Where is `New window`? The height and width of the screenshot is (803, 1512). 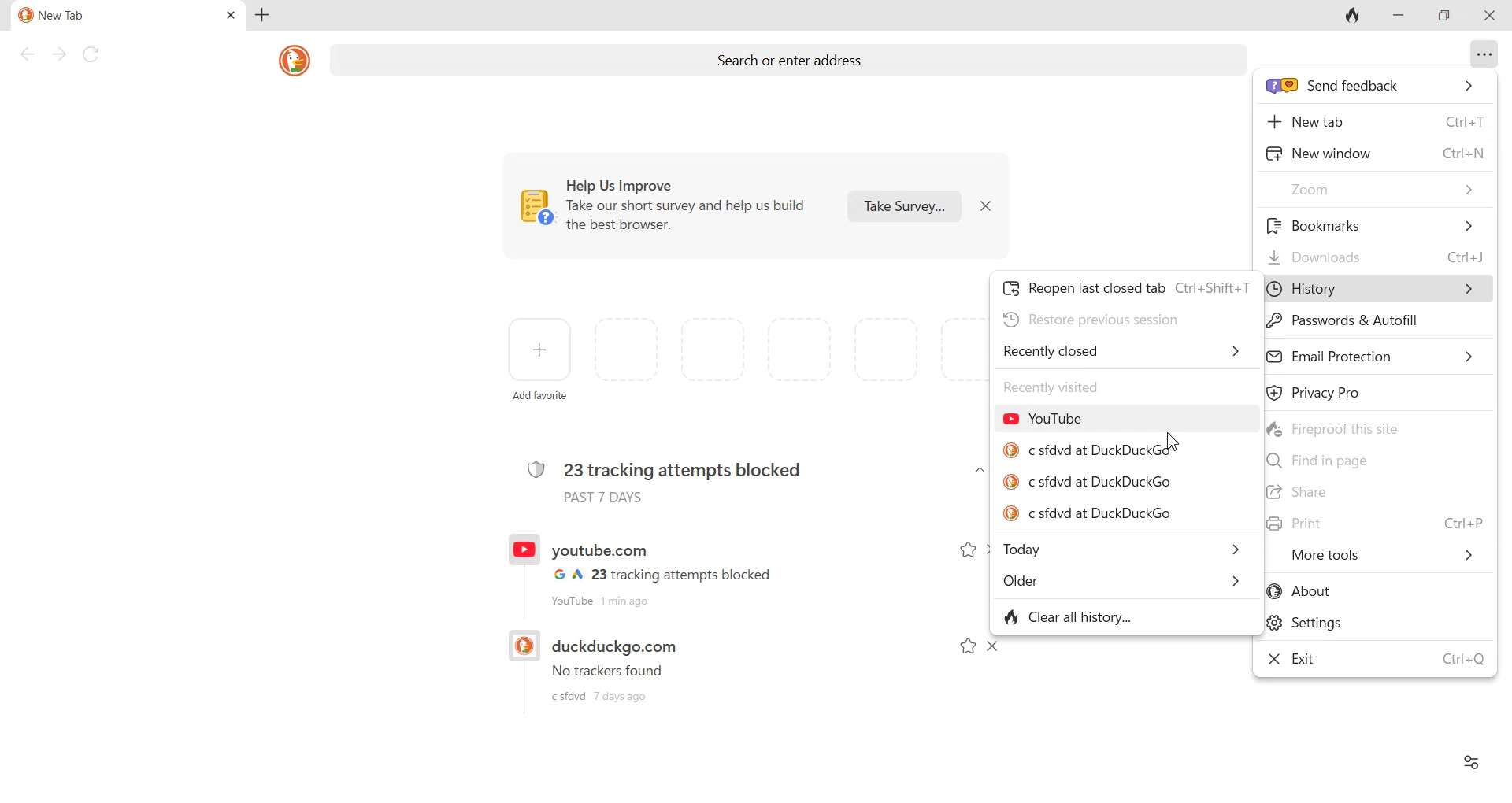
New window is located at coordinates (1375, 151).